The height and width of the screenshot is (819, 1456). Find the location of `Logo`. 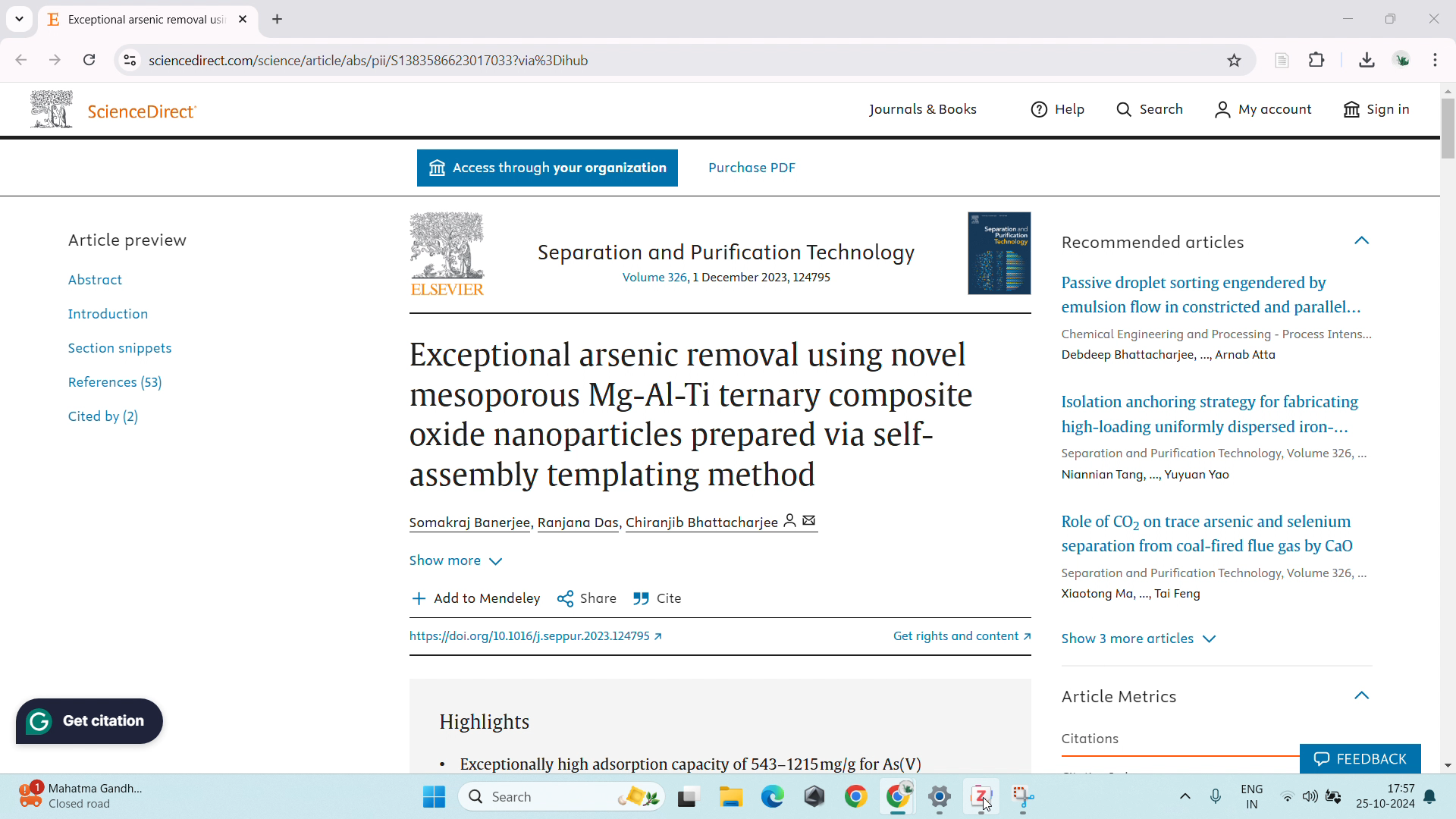

Logo is located at coordinates (49, 107).